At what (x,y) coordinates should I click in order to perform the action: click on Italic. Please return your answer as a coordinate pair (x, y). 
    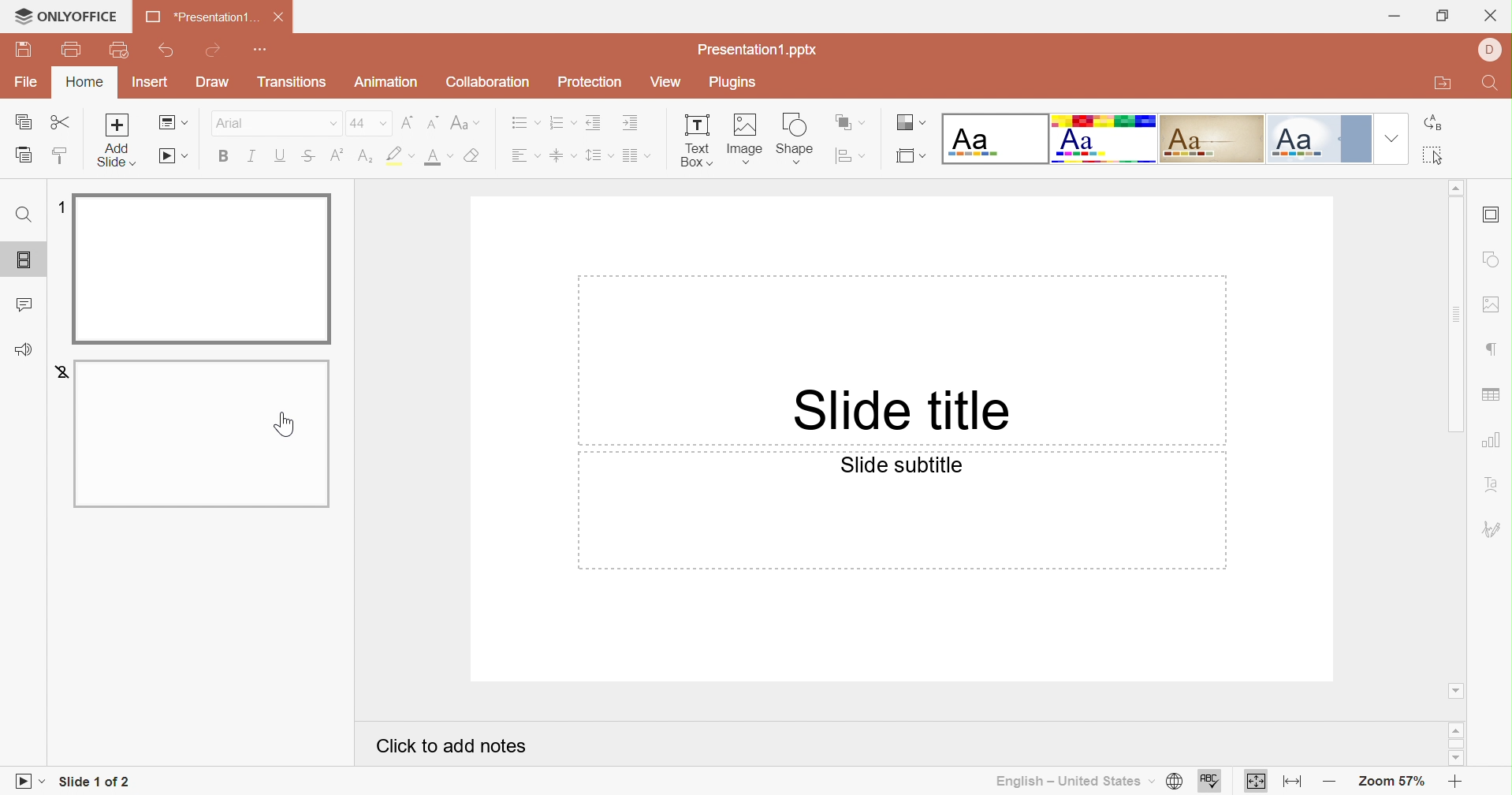
    Looking at the image, I should click on (255, 156).